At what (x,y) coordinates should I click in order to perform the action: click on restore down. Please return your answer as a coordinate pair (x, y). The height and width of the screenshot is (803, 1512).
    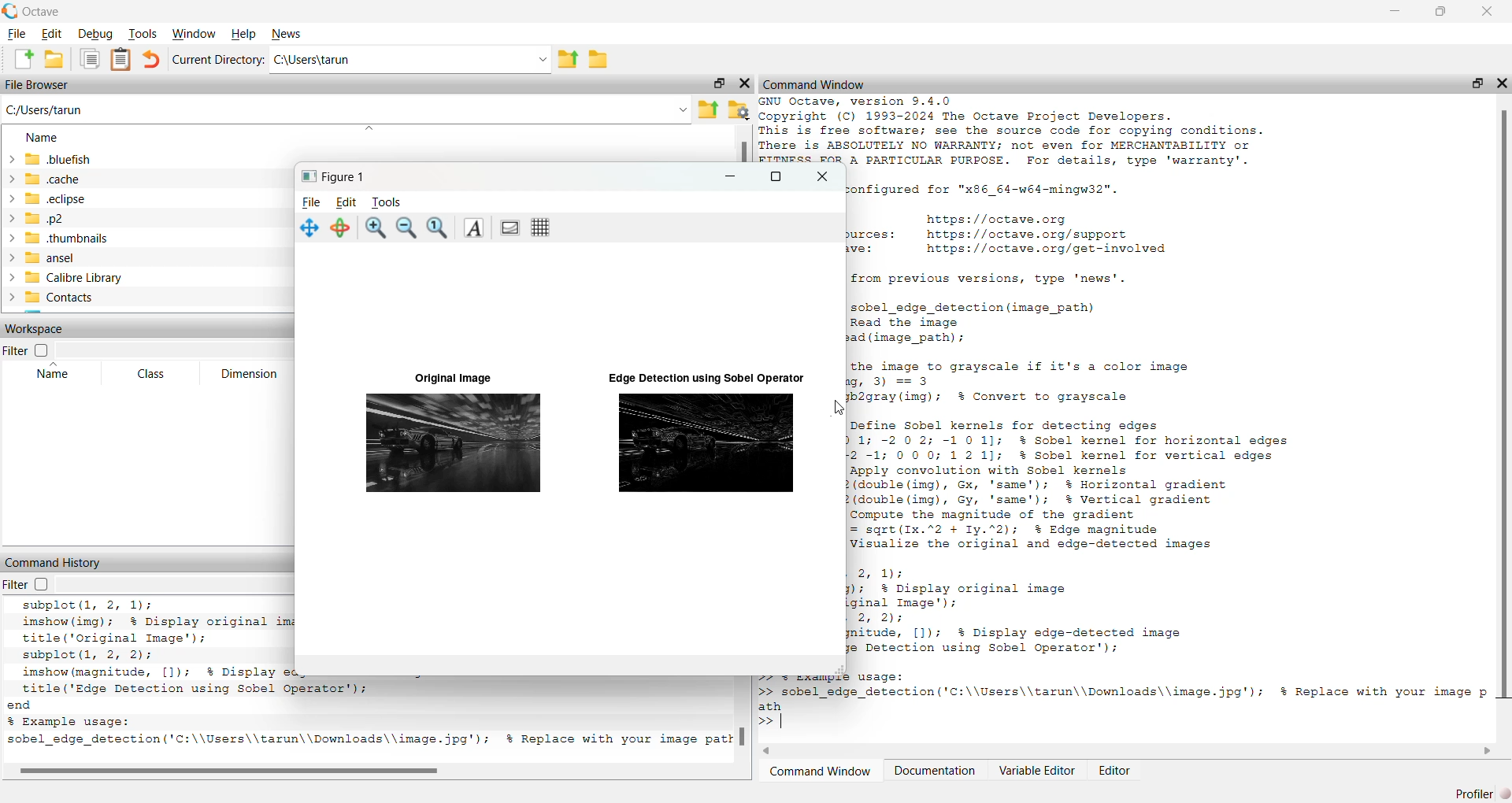
    Looking at the image, I should click on (1473, 86).